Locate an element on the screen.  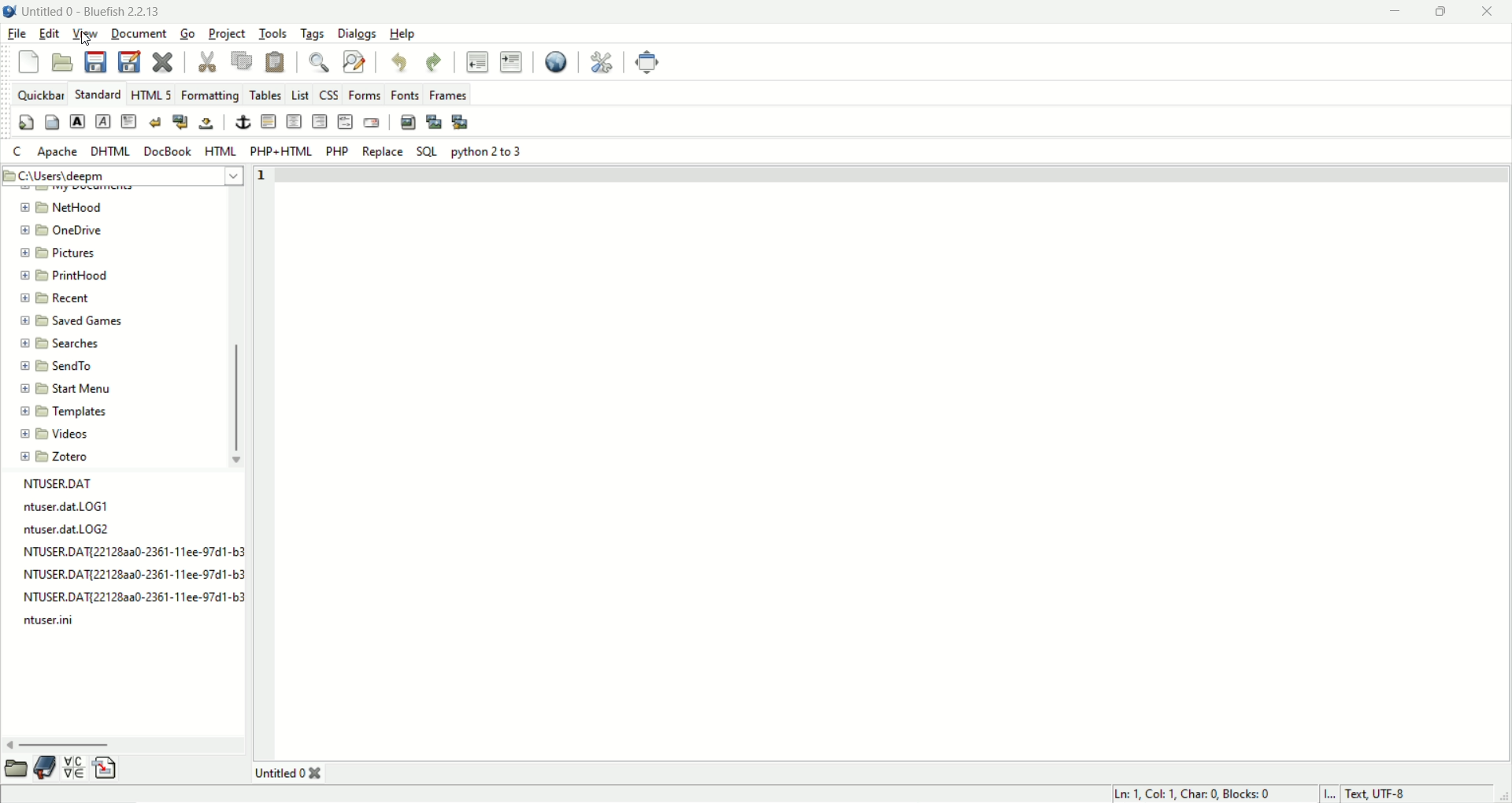
pictures is located at coordinates (60, 252).